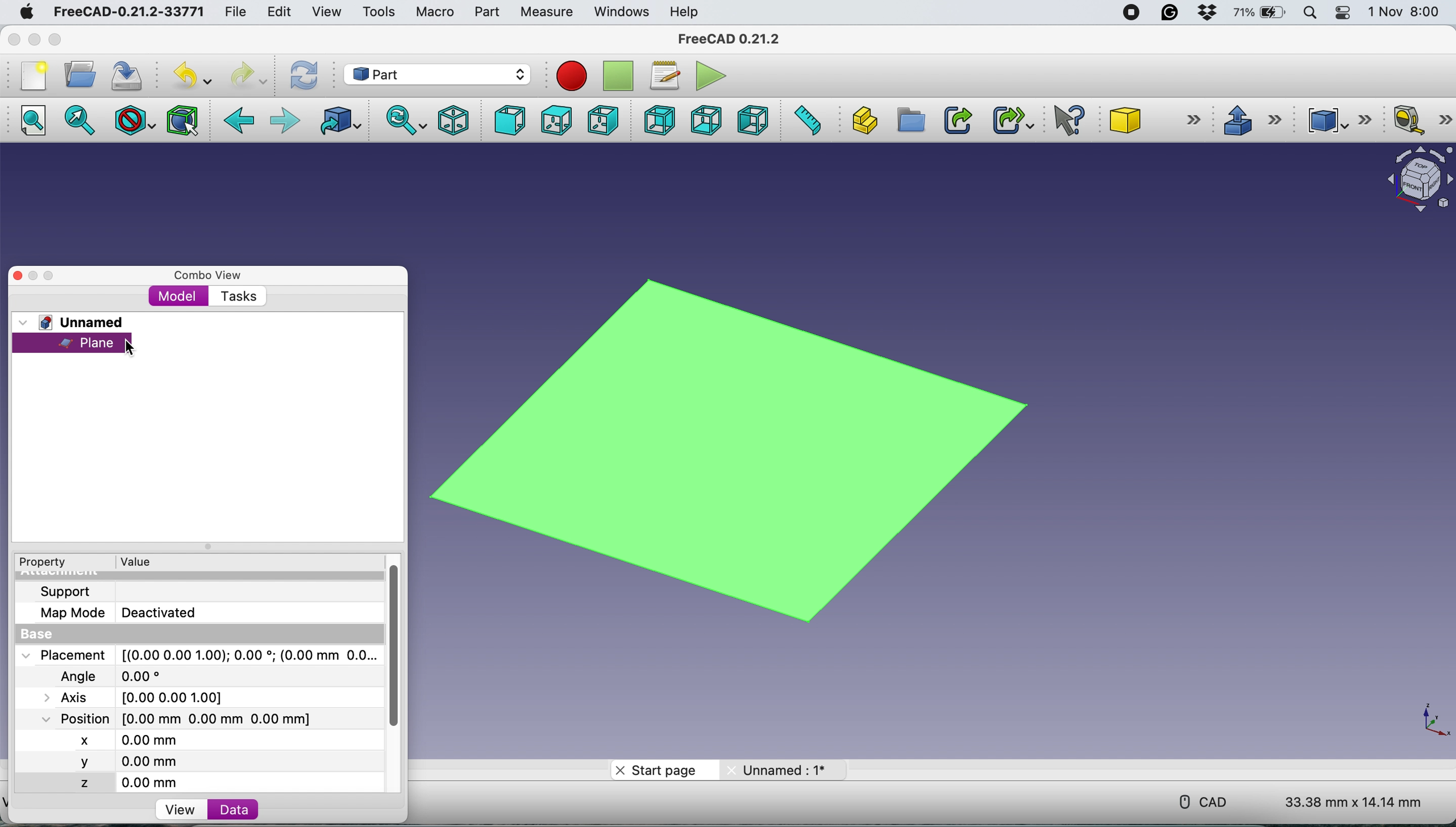  What do you see at coordinates (1124, 12) in the screenshot?
I see `screen recorder` at bounding box center [1124, 12].